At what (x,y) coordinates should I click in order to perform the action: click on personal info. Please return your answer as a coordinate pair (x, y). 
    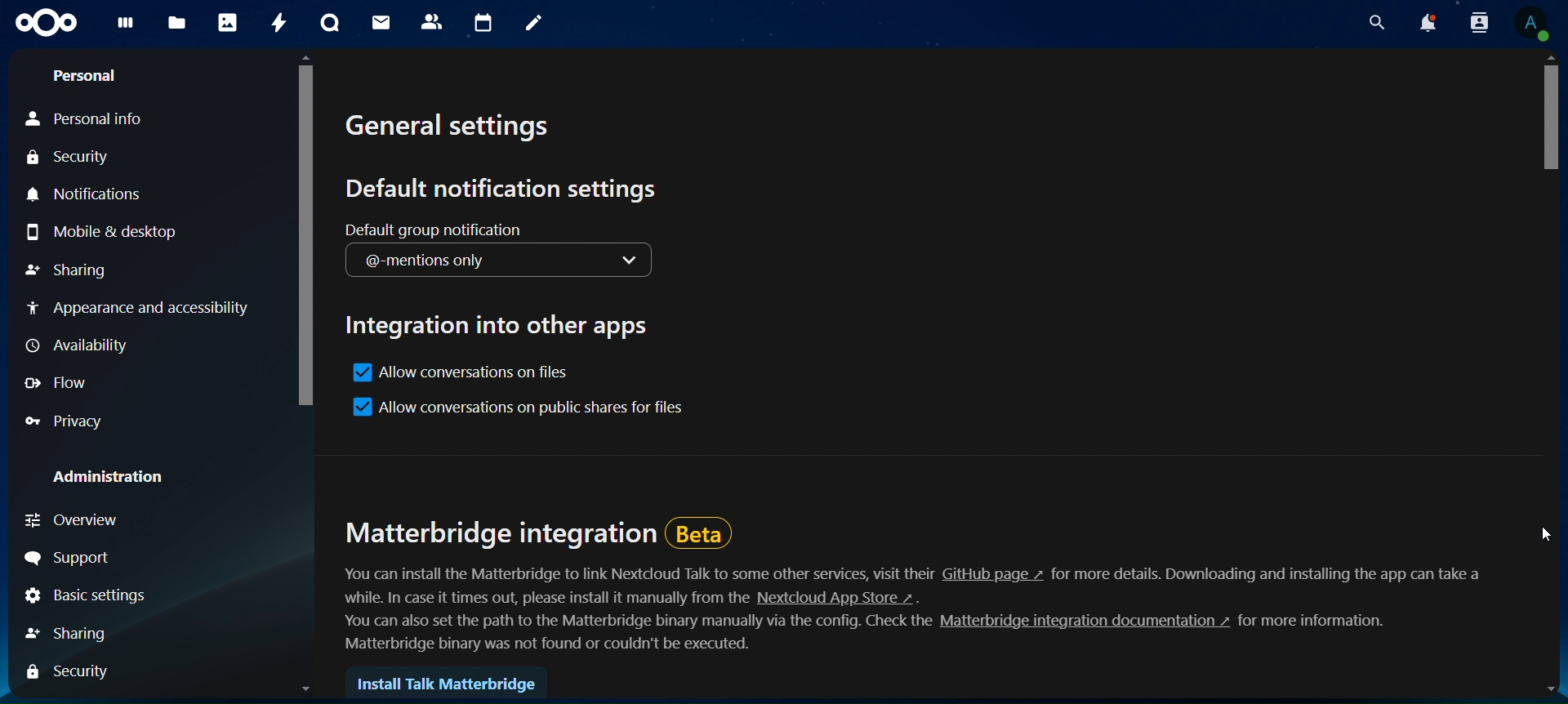
    Looking at the image, I should click on (87, 118).